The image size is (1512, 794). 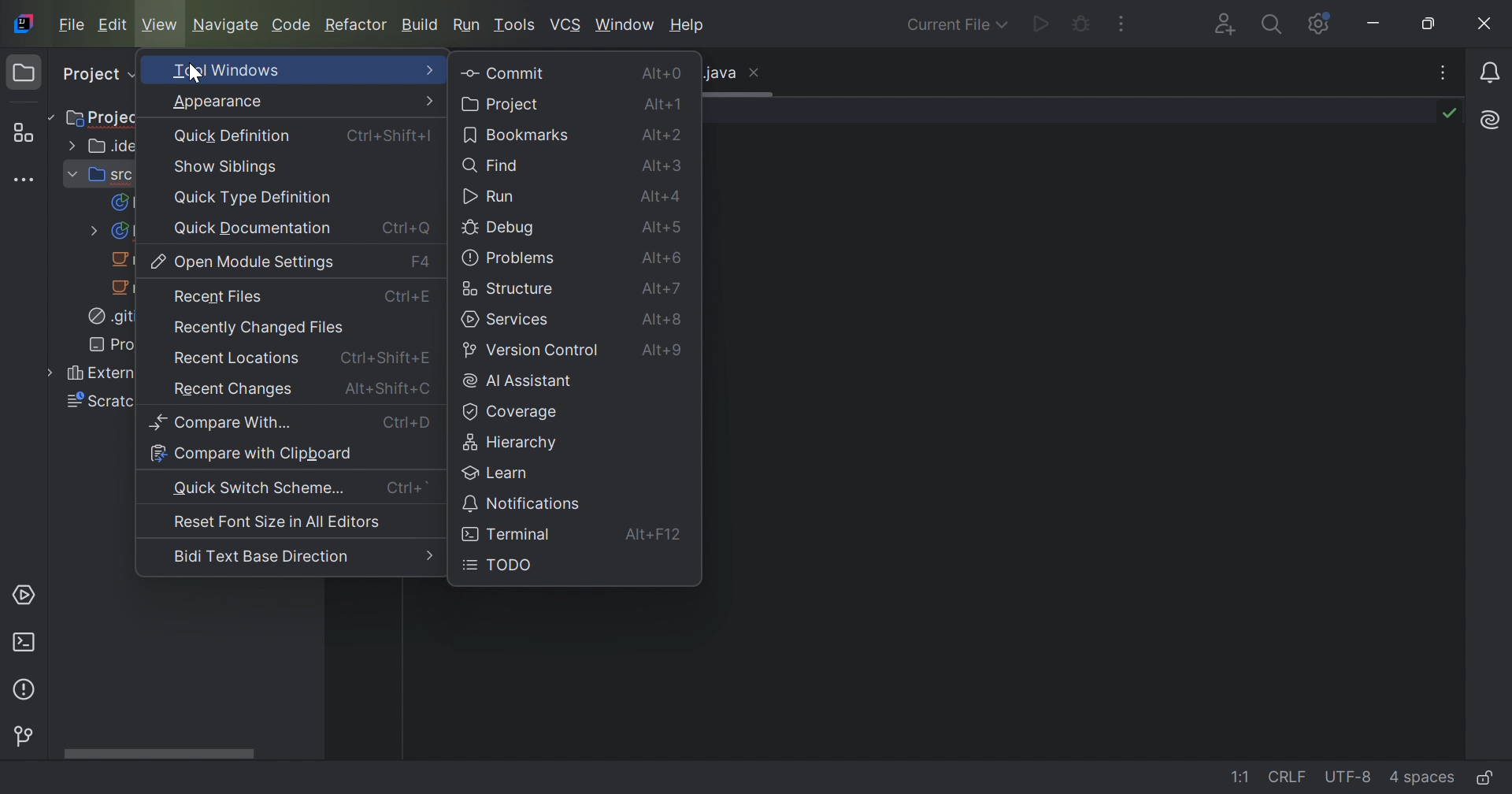 What do you see at coordinates (501, 230) in the screenshot?
I see `Debug` at bounding box center [501, 230].